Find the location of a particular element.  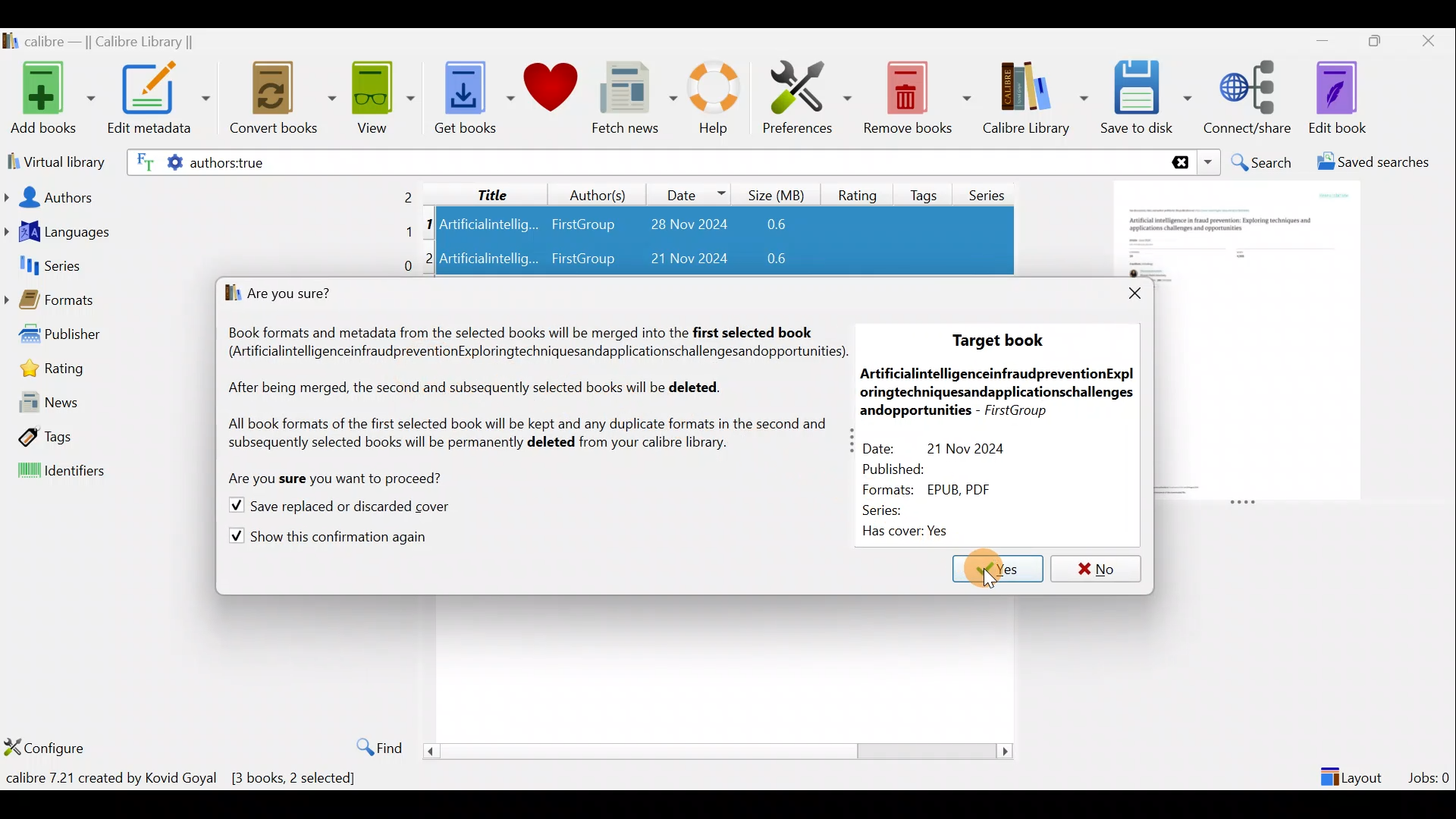

Connect/share is located at coordinates (1250, 95).